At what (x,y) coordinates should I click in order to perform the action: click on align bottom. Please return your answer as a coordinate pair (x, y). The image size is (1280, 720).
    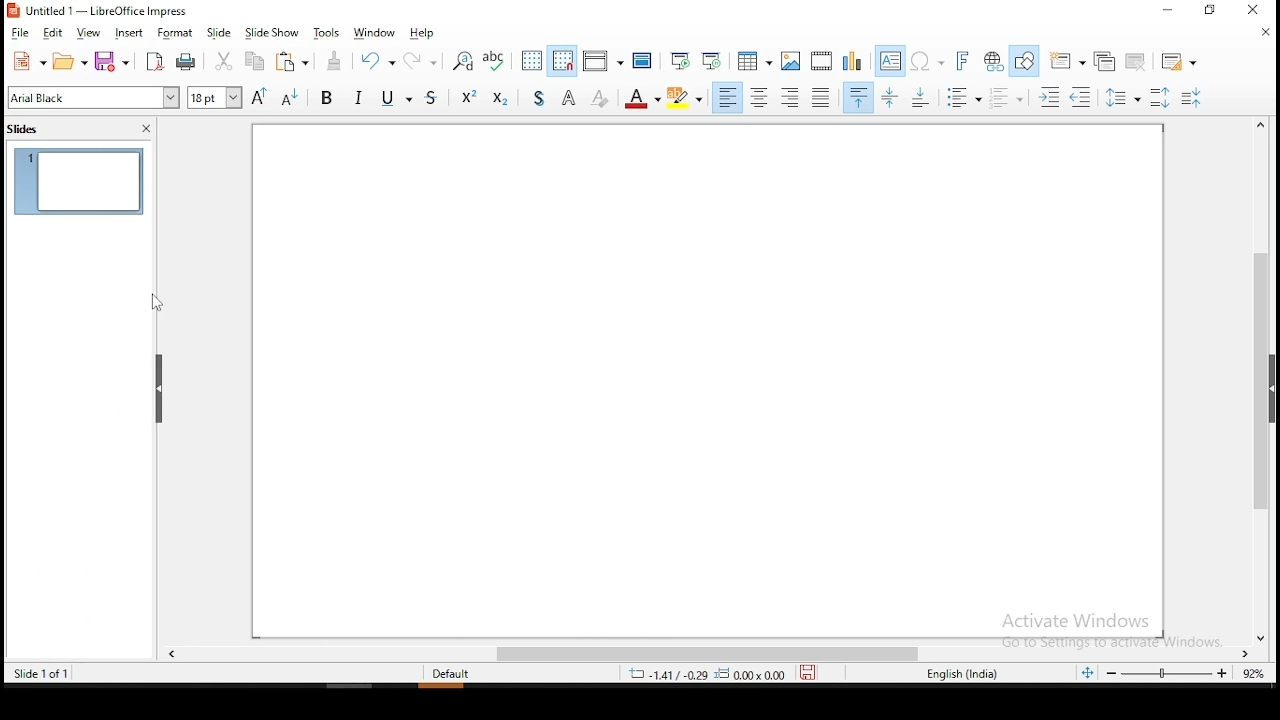
    Looking at the image, I should click on (924, 96).